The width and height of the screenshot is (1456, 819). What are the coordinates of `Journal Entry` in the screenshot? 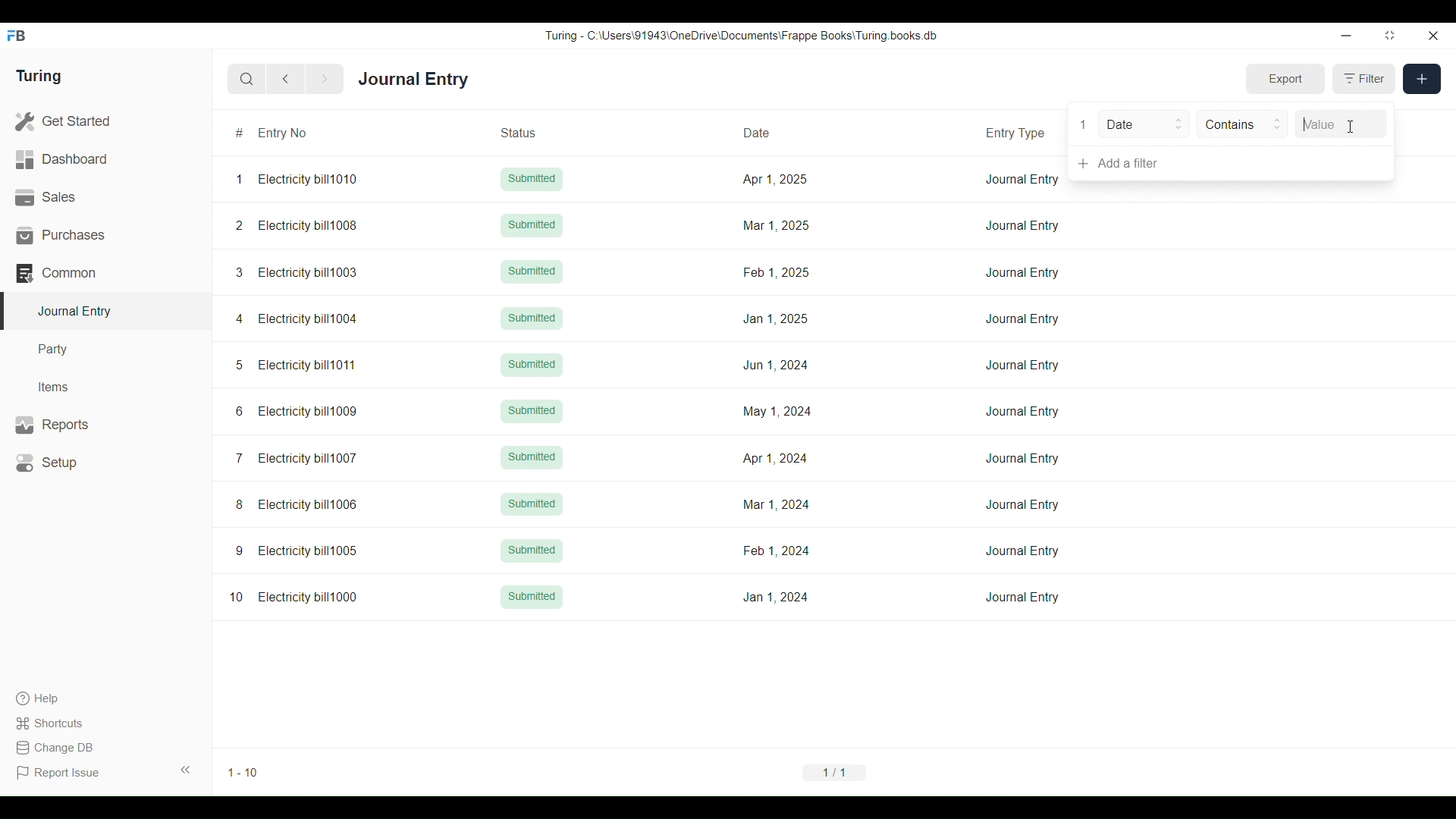 It's located at (1021, 598).